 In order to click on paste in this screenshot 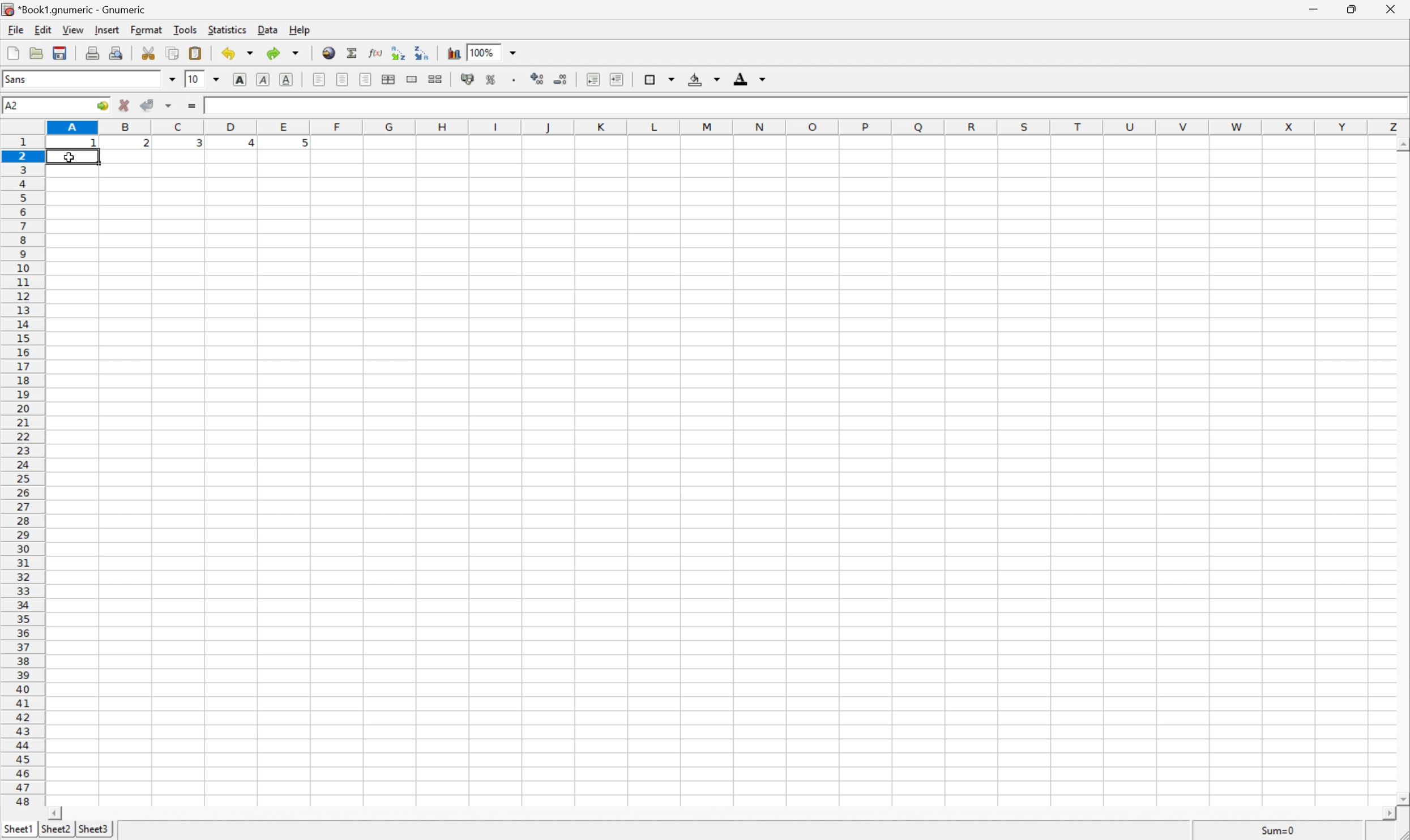, I will do `click(195, 52)`.